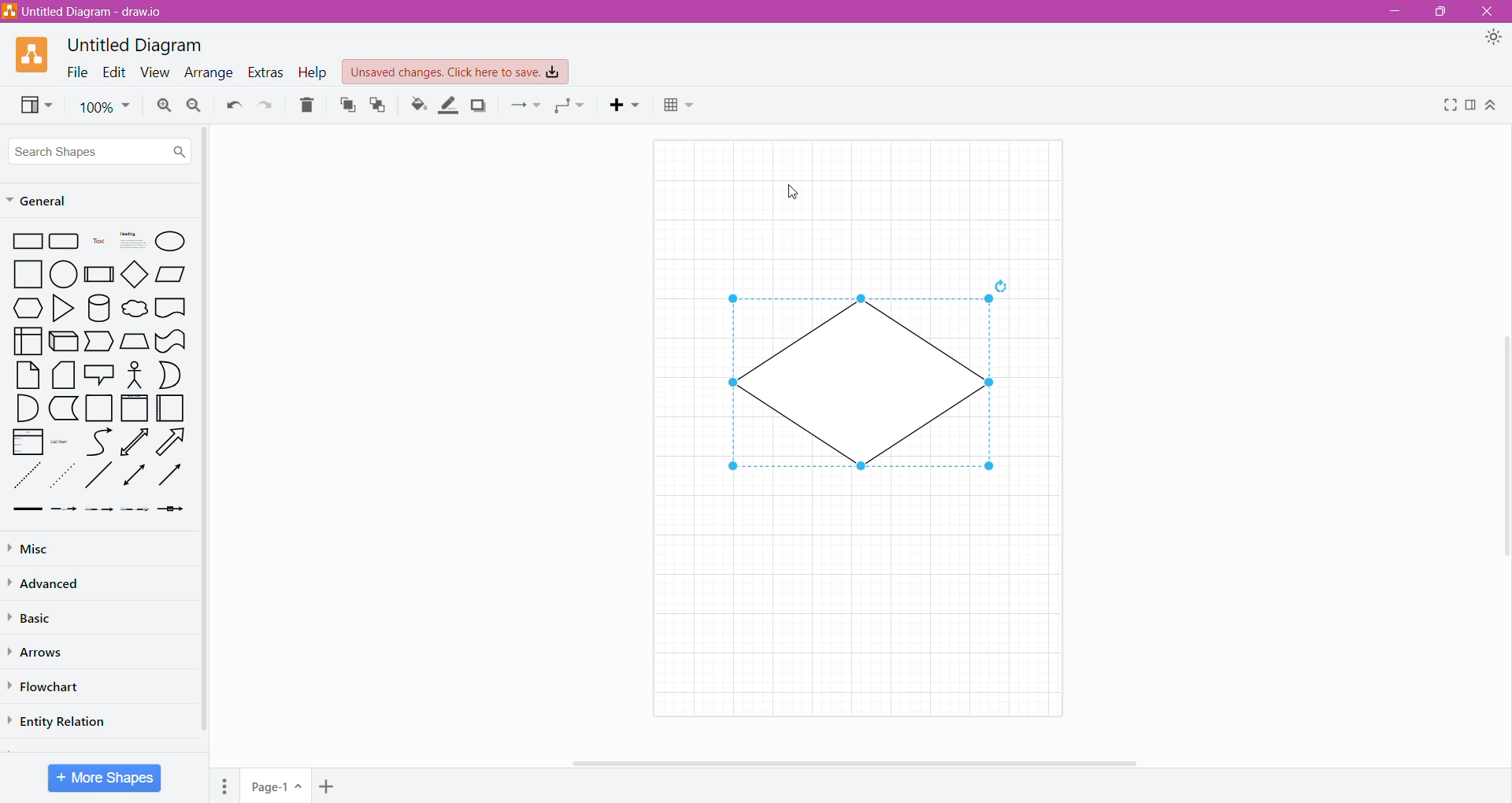 The height and width of the screenshot is (803, 1512). Describe the element at coordinates (98, 342) in the screenshot. I see `Step` at that location.